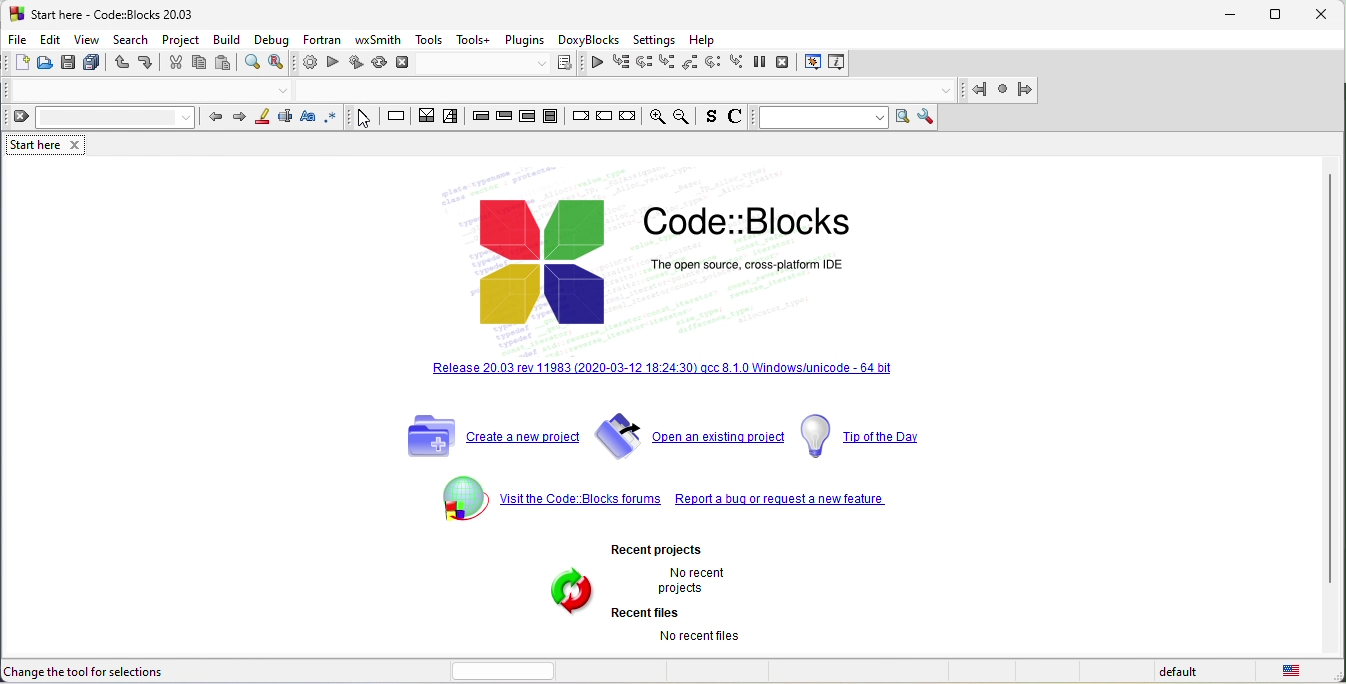 The width and height of the screenshot is (1346, 684). I want to click on return, so click(629, 118).